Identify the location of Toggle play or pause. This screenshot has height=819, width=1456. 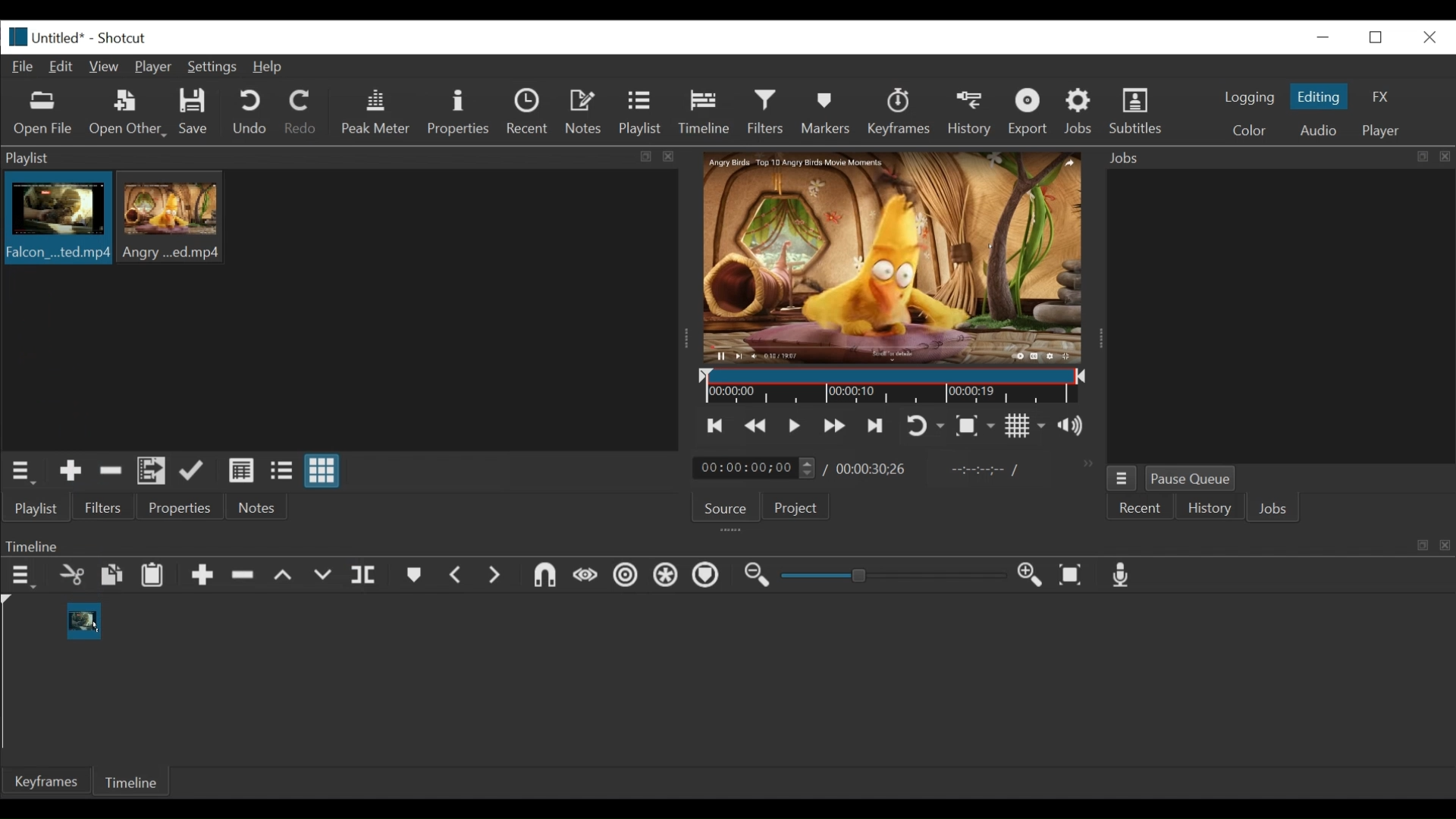
(795, 425).